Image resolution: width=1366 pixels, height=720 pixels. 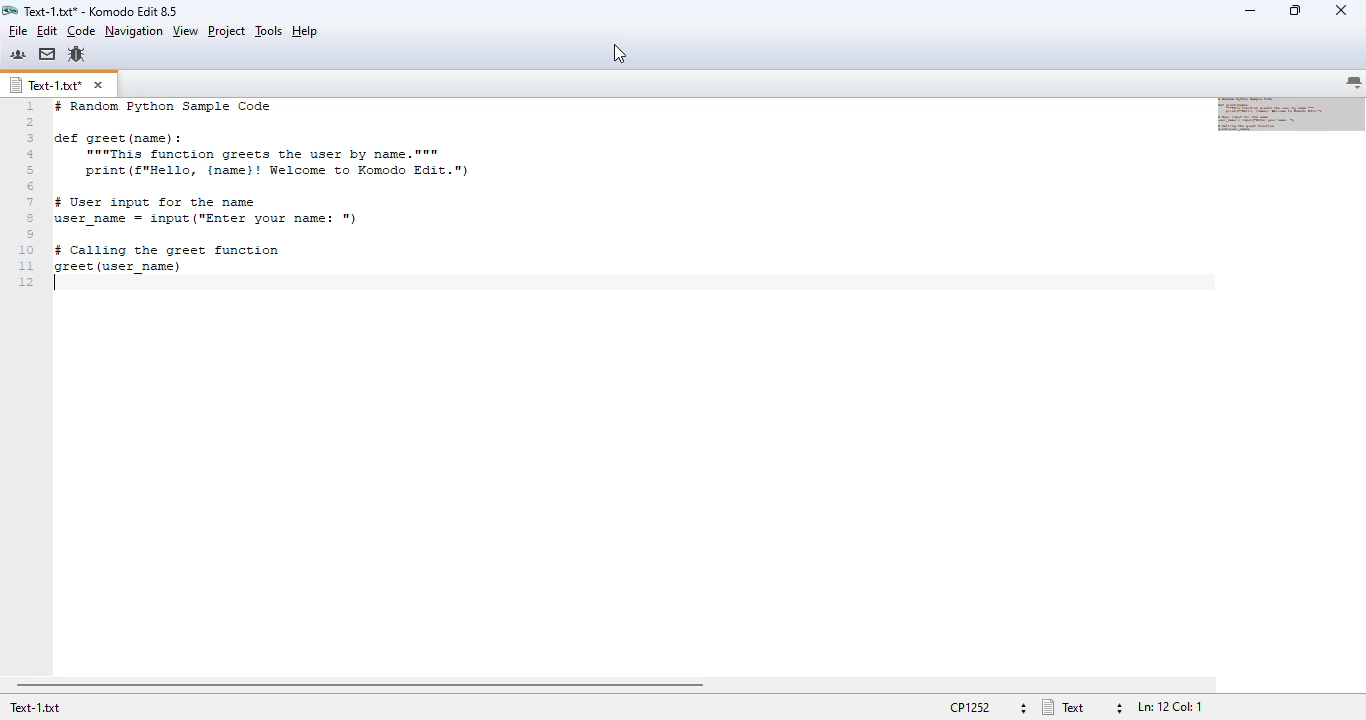 I want to click on minimize, so click(x=1251, y=11).